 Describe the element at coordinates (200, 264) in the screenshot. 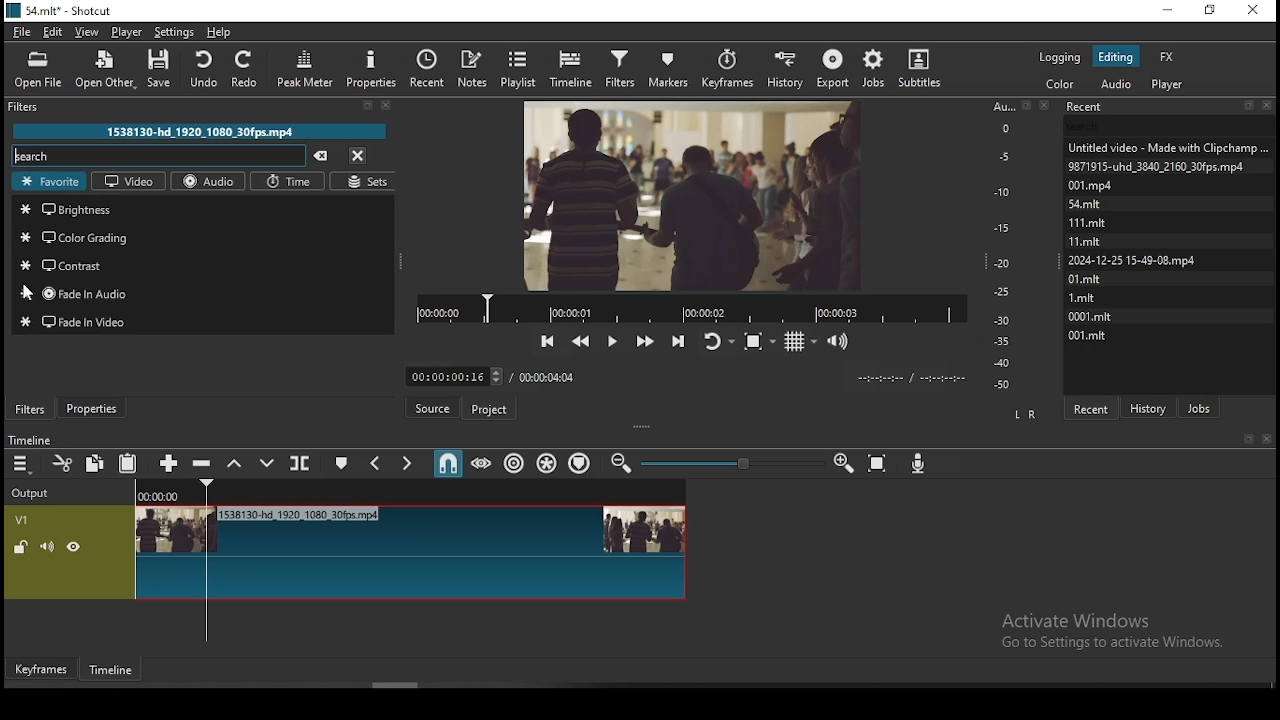

I see `contrast` at that location.